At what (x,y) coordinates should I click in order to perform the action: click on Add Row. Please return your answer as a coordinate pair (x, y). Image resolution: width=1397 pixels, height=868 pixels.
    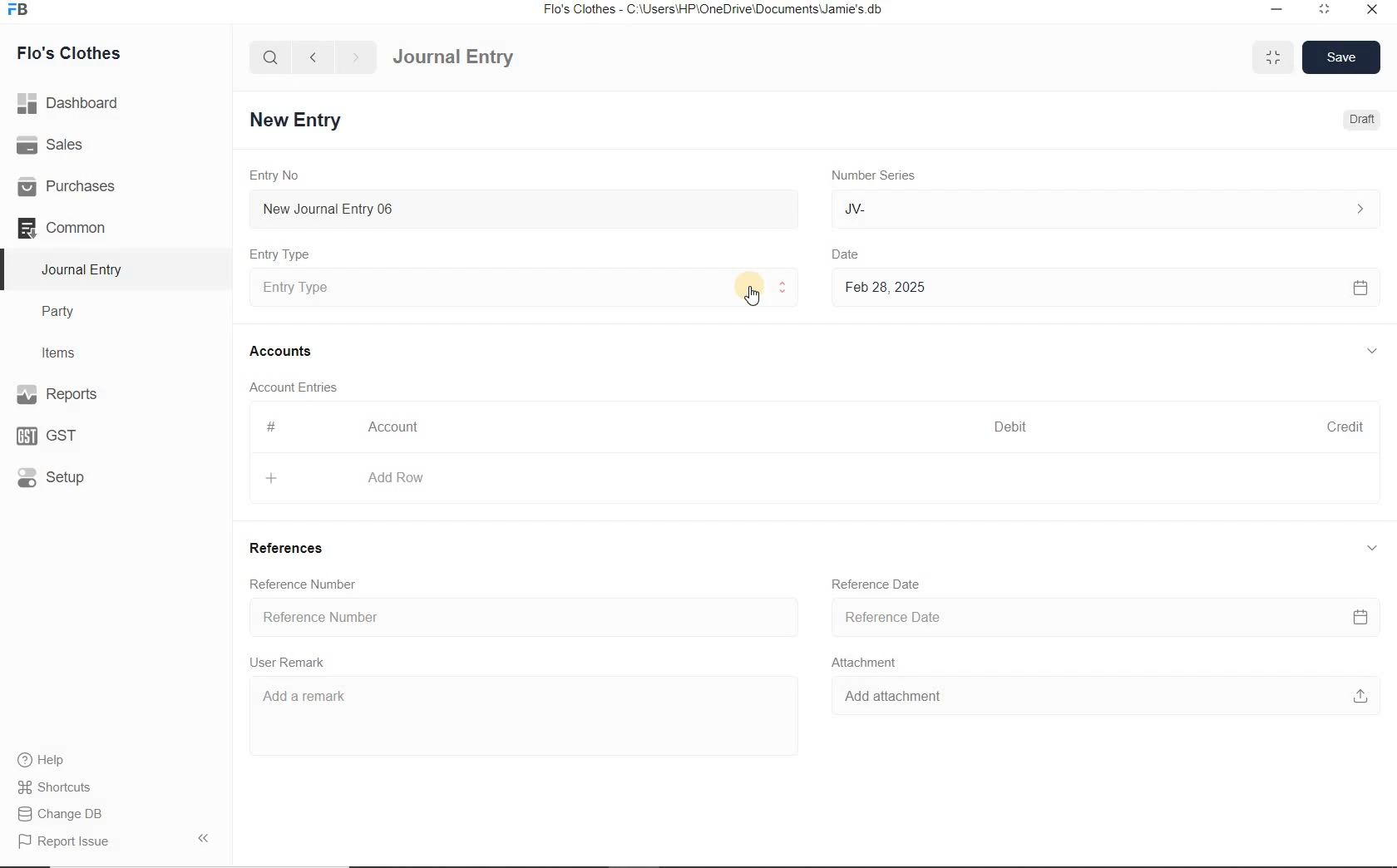
    Looking at the image, I should click on (353, 476).